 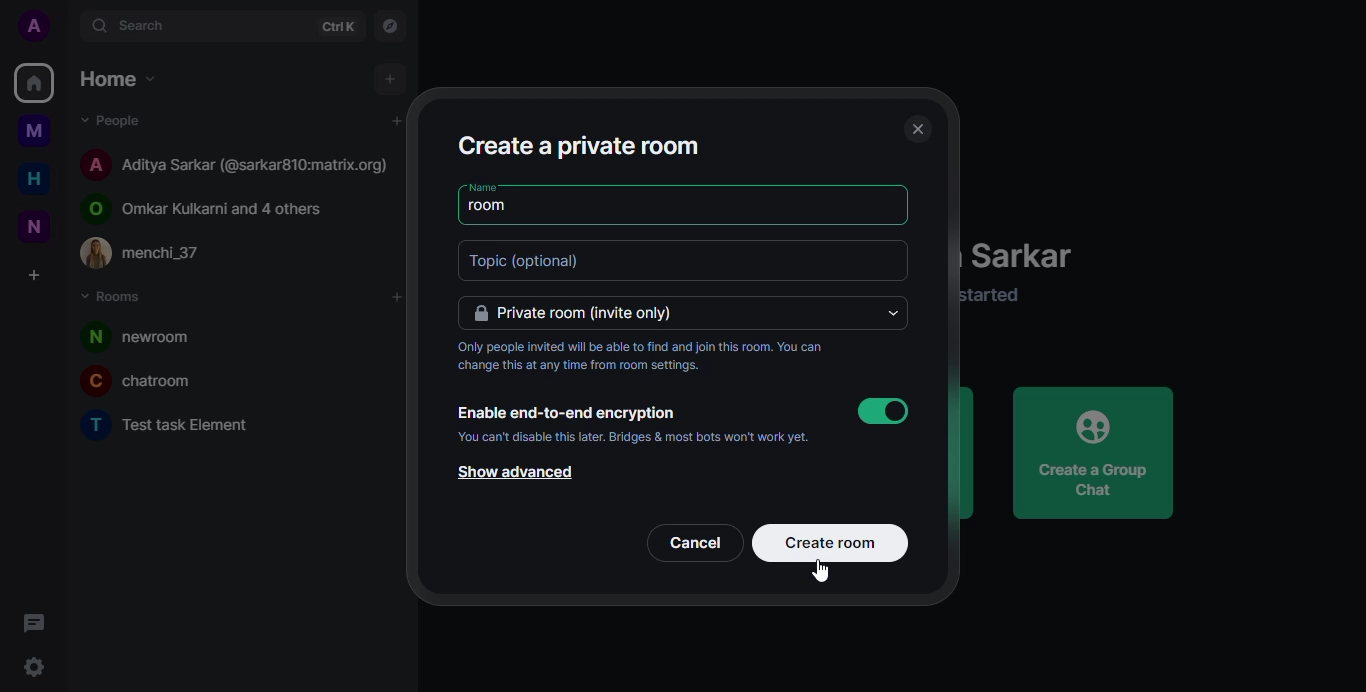 What do you see at coordinates (492, 207) in the screenshot?
I see `room input tab` at bounding box center [492, 207].